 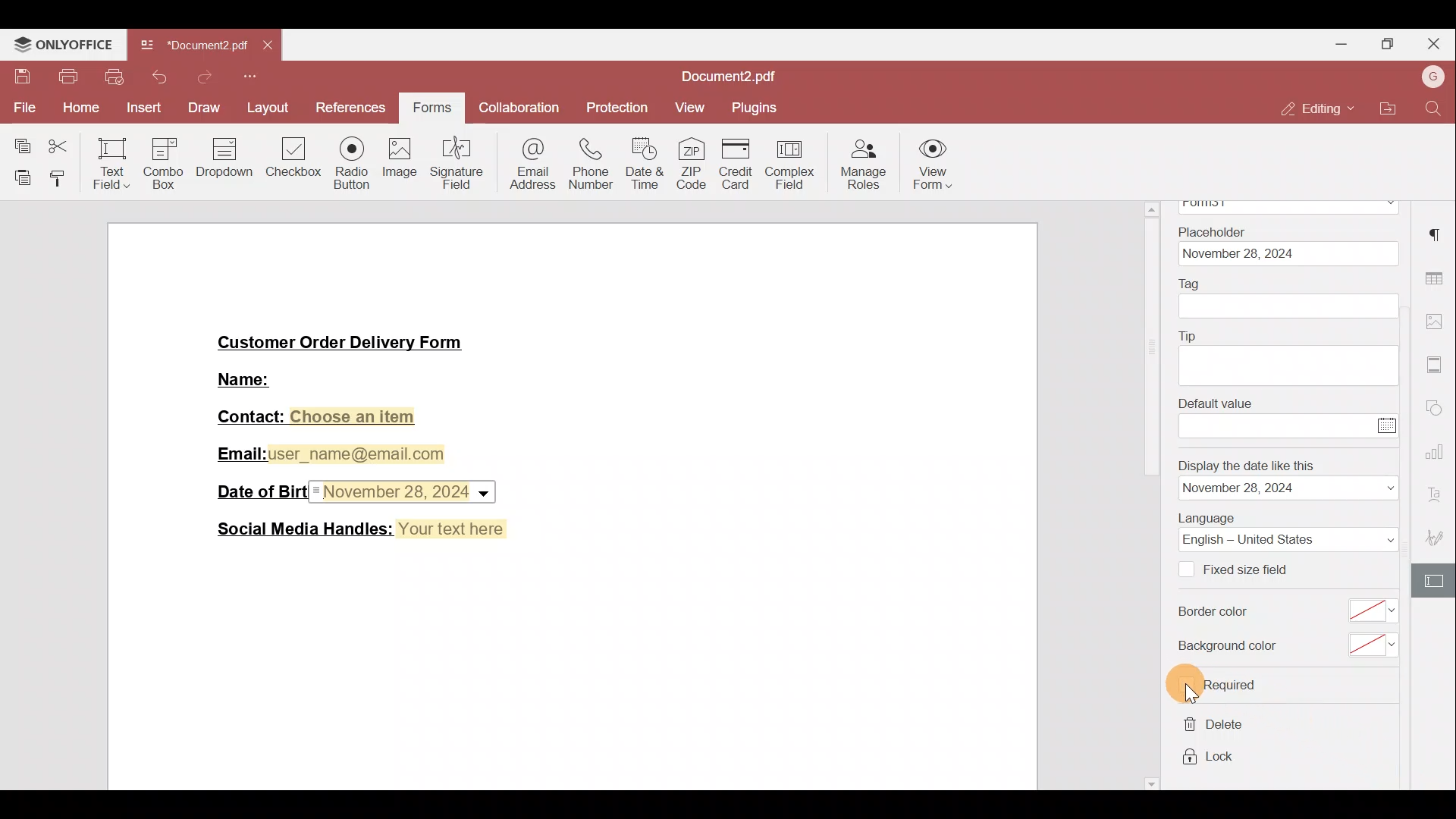 What do you see at coordinates (265, 46) in the screenshot?
I see `Close tab` at bounding box center [265, 46].